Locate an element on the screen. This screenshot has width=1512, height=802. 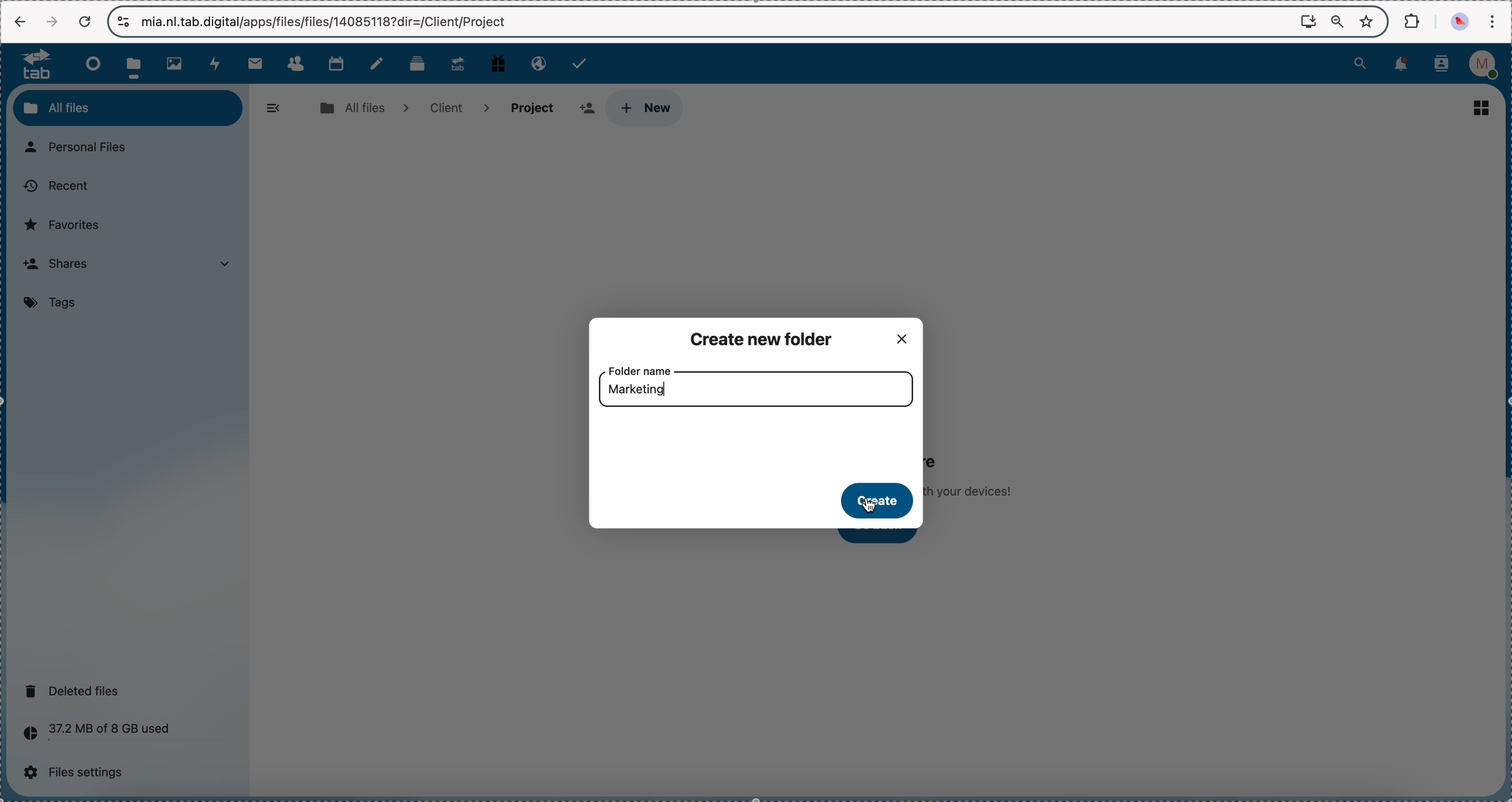
click on go back is located at coordinates (885, 537).